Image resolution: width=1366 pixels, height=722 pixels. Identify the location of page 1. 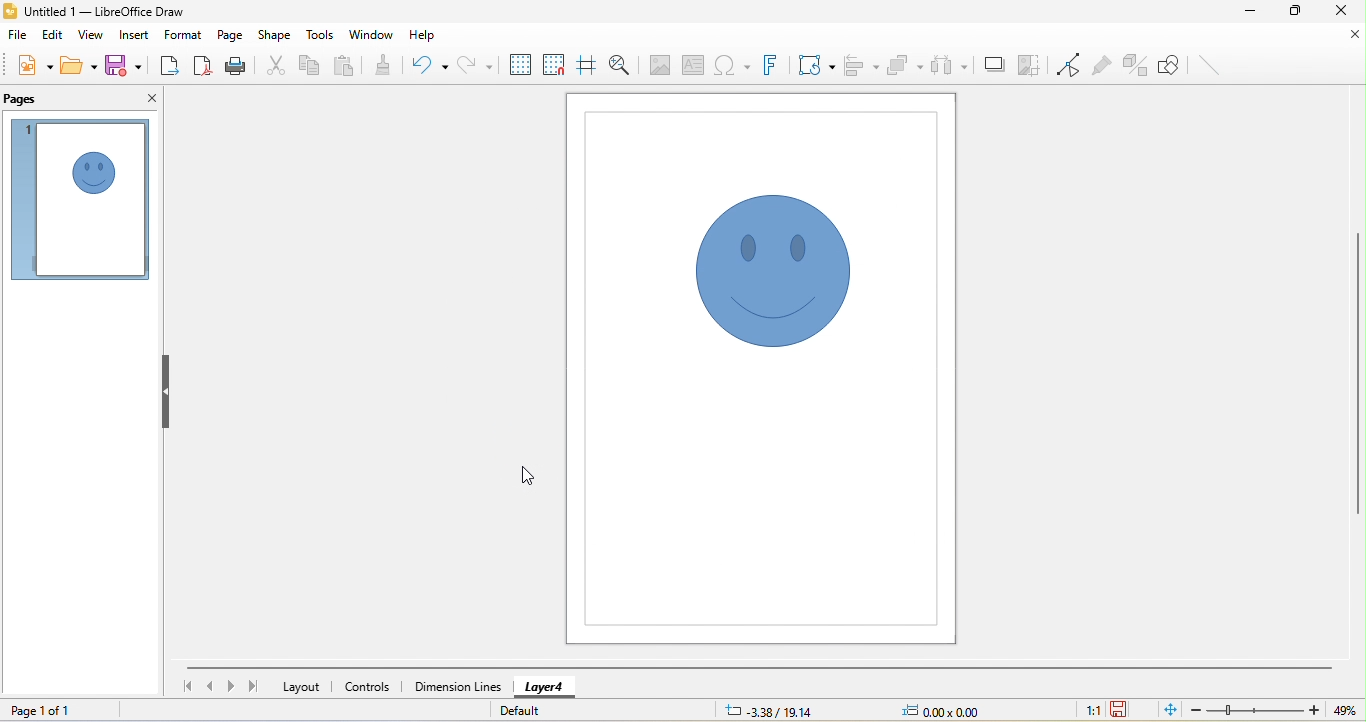
(79, 200).